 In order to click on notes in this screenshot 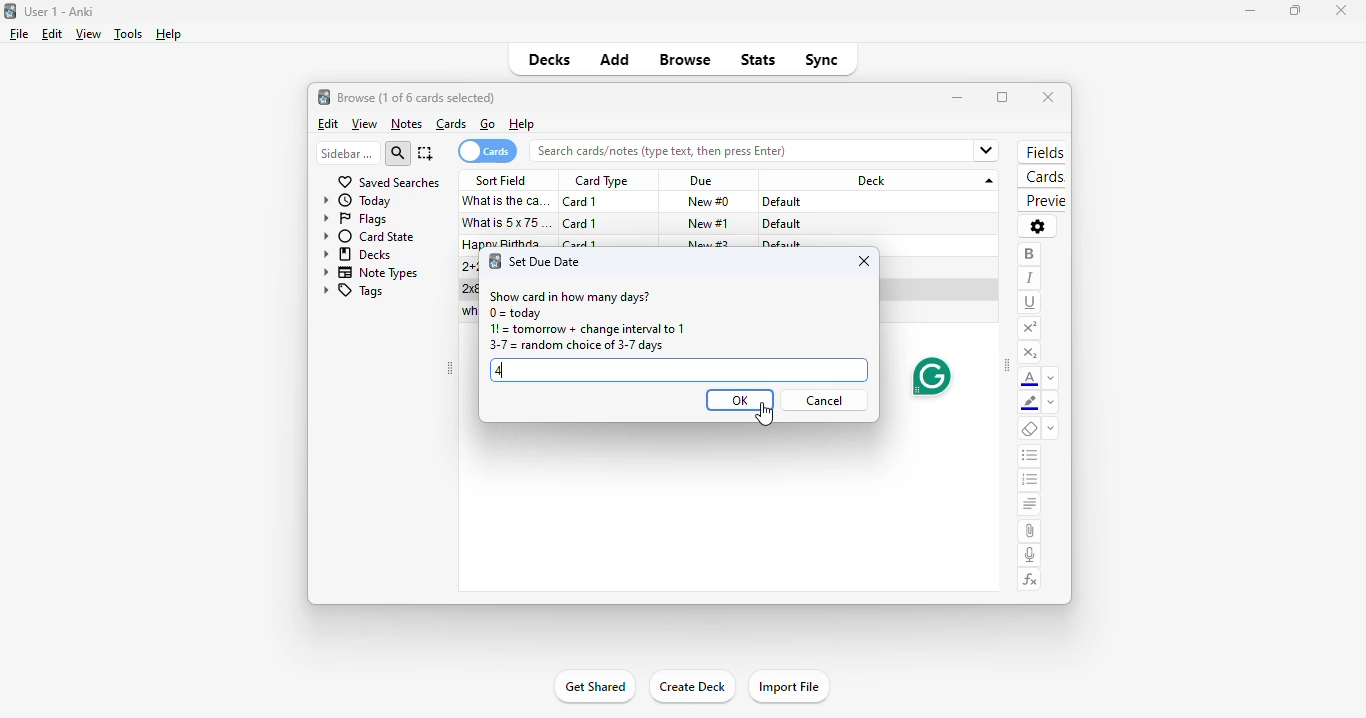, I will do `click(406, 124)`.